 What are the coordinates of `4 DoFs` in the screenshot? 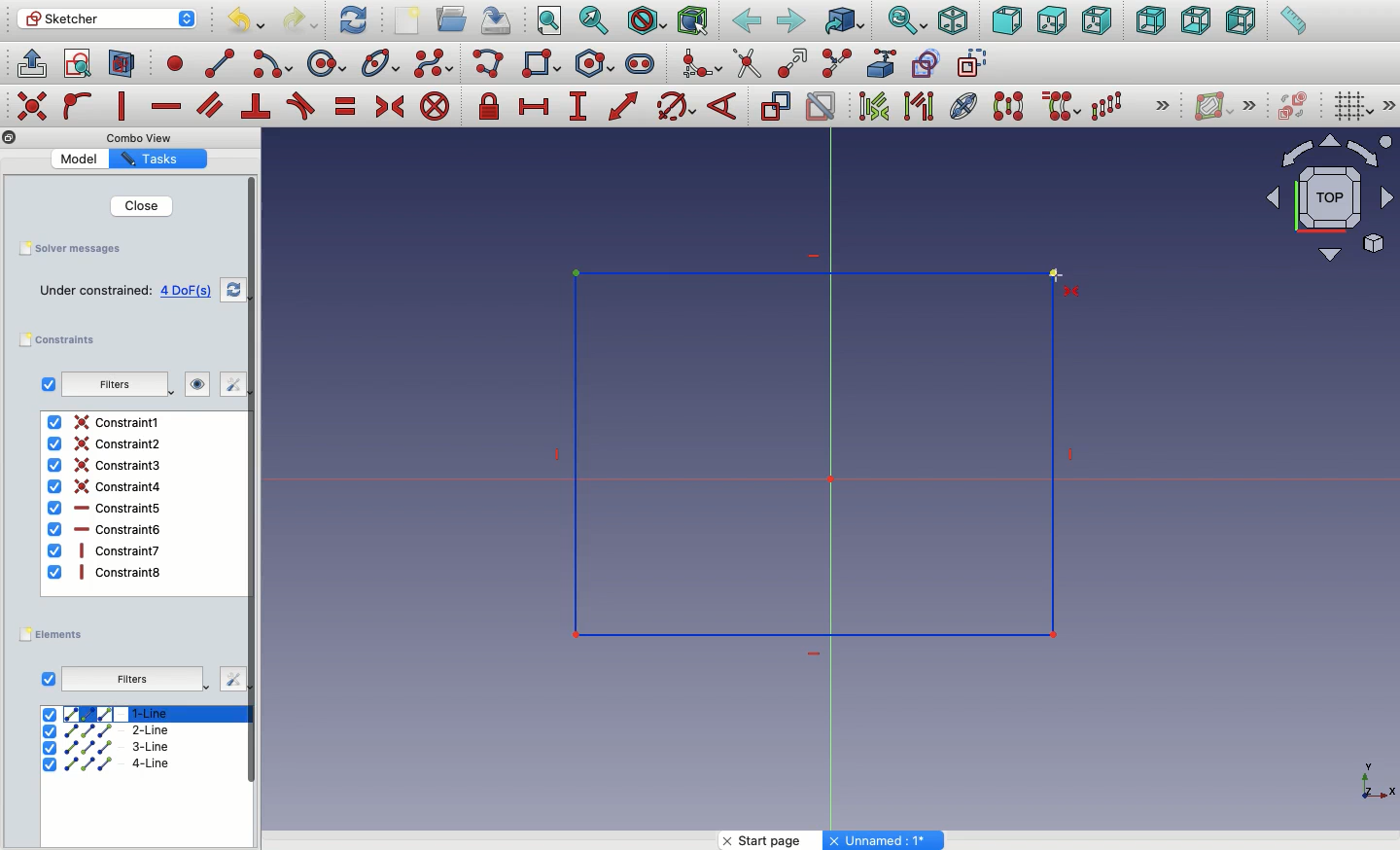 It's located at (191, 291).